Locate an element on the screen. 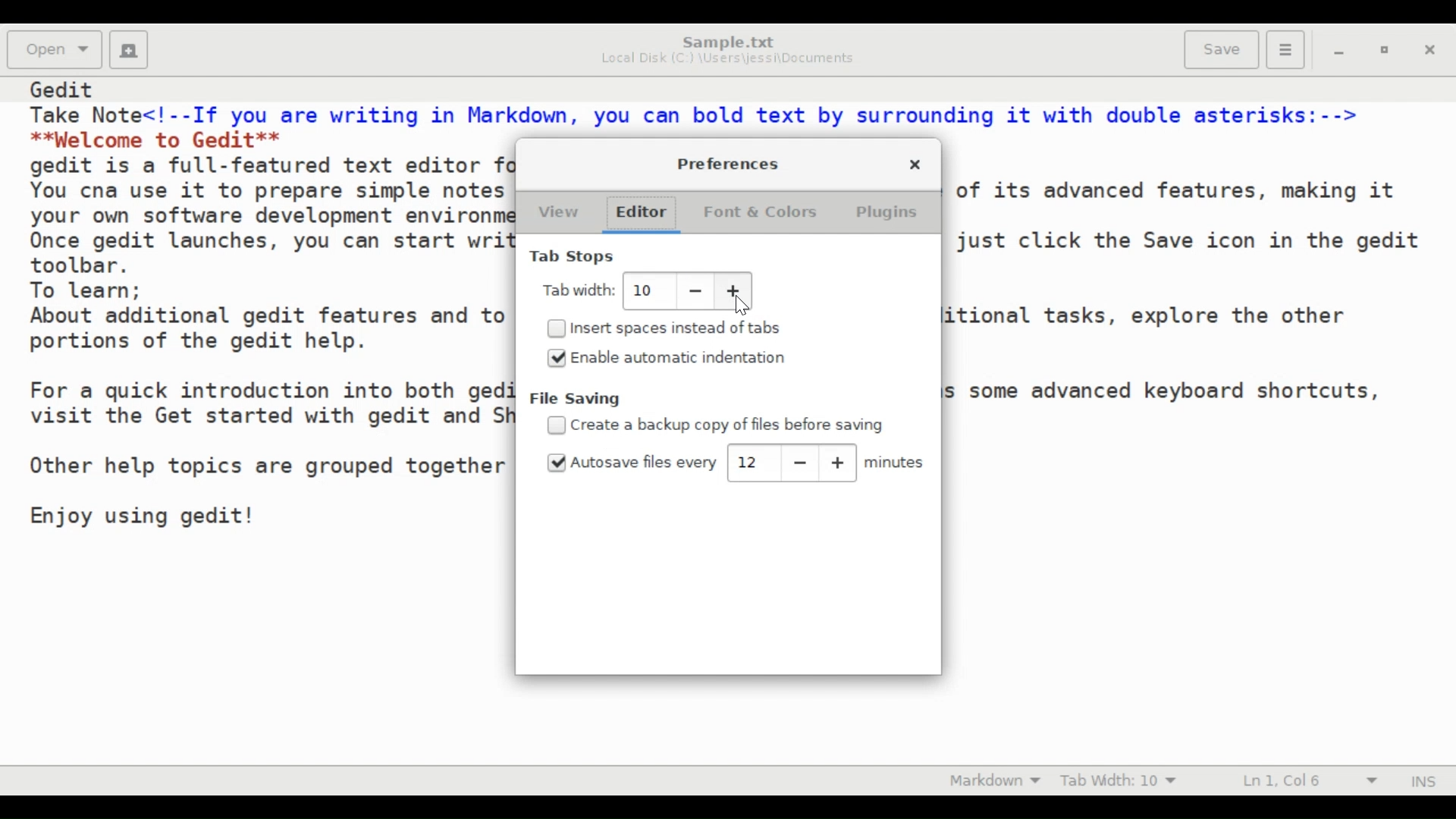 The image size is (1456, 819). Open is located at coordinates (55, 49).